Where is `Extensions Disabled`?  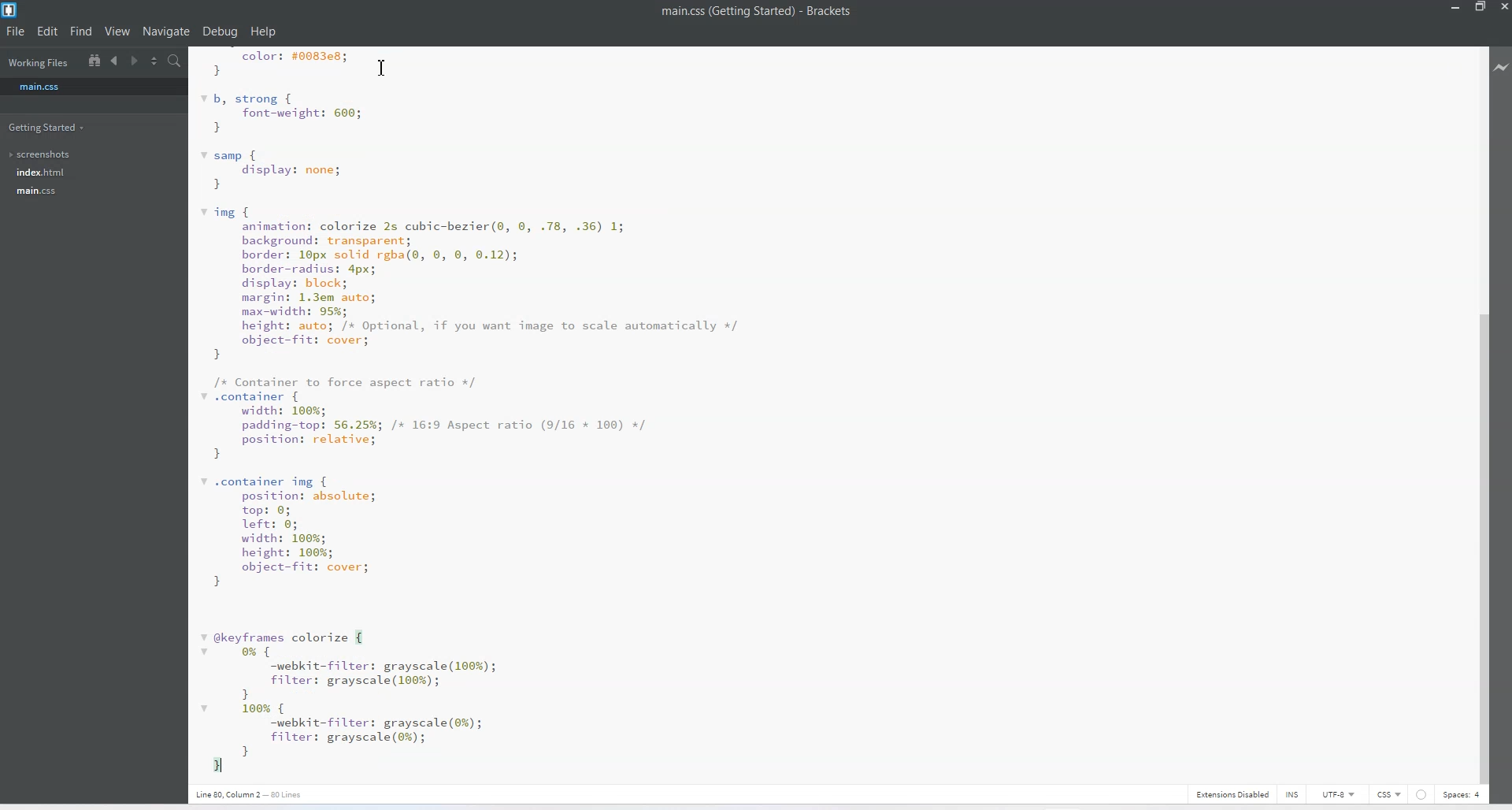
Extensions Disabled is located at coordinates (1232, 795).